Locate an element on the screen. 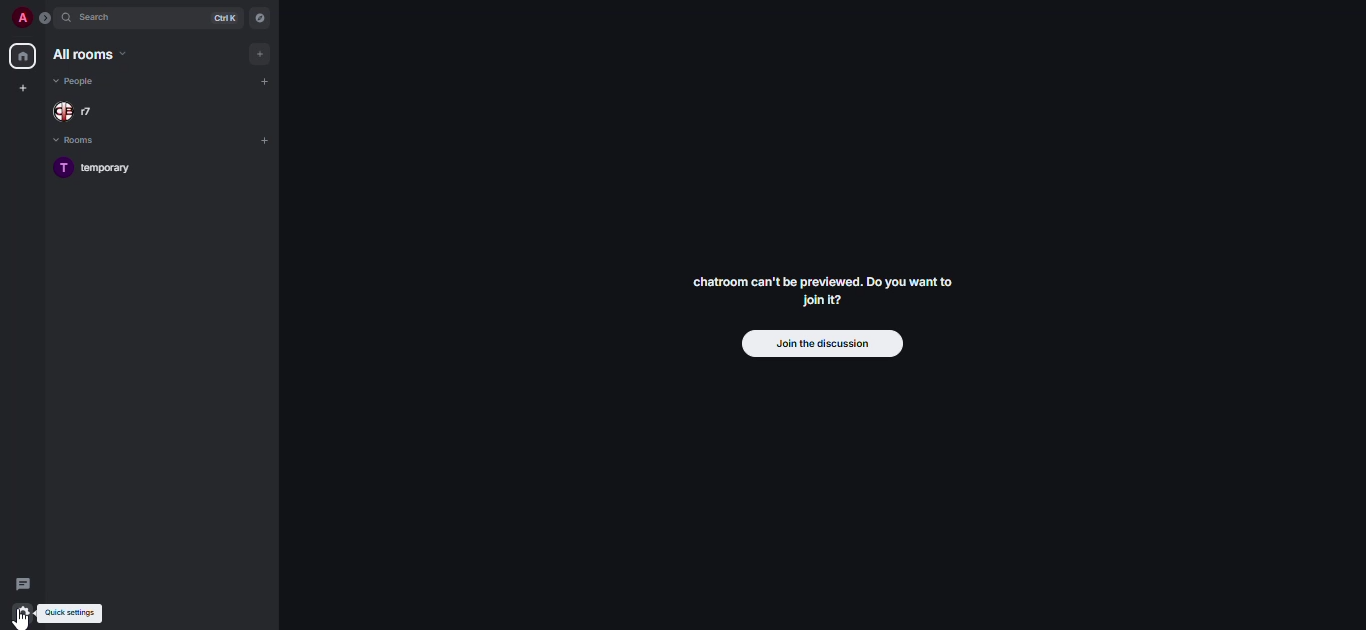  quick settings is located at coordinates (21, 613).